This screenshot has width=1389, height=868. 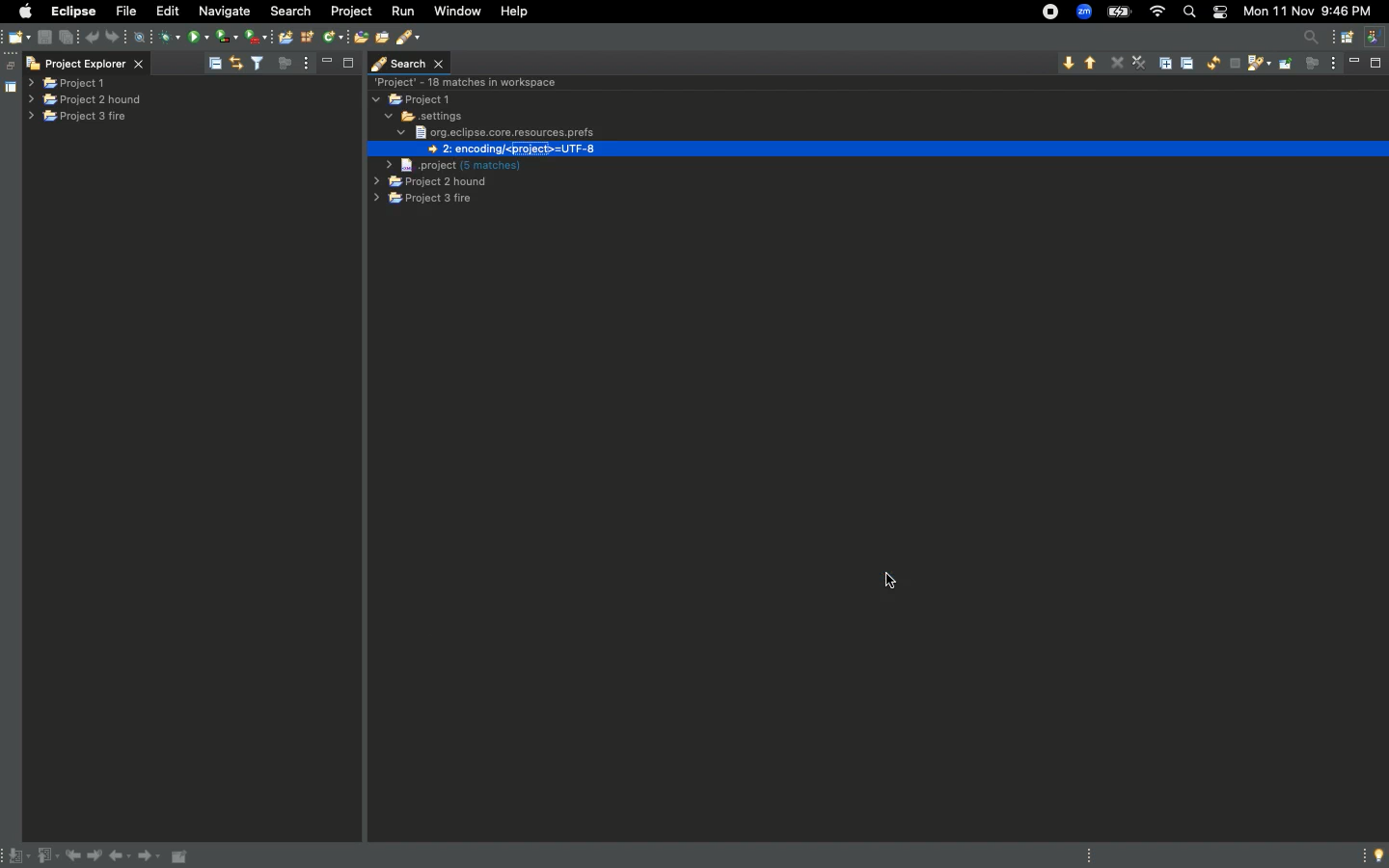 I want to click on Pin editor, so click(x=181, y=856).